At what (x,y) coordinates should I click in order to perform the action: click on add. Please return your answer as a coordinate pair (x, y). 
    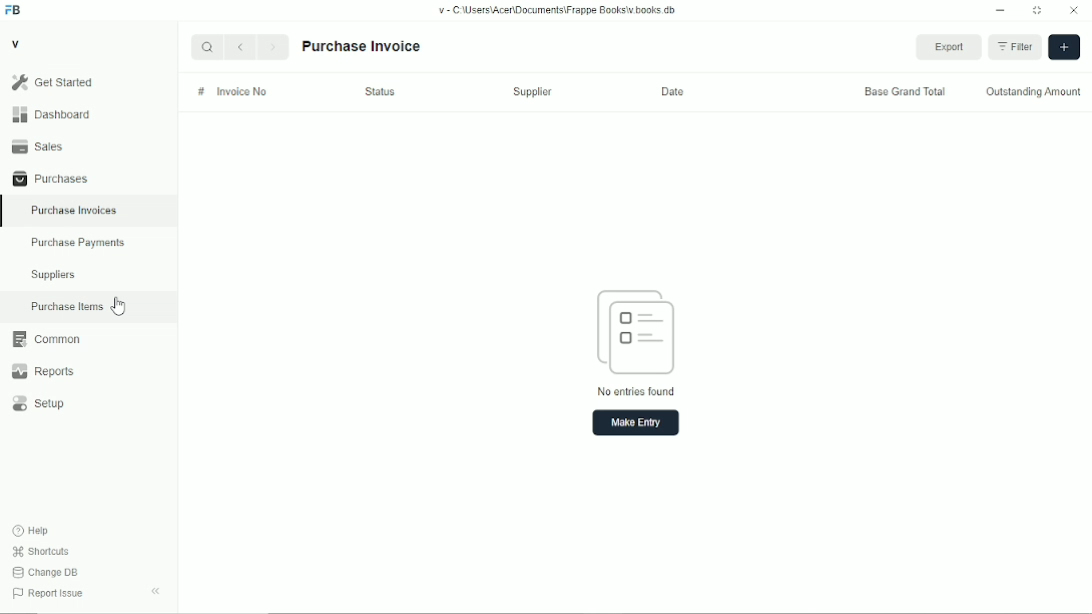
    Looking at the image, I should click on (1064, 47).